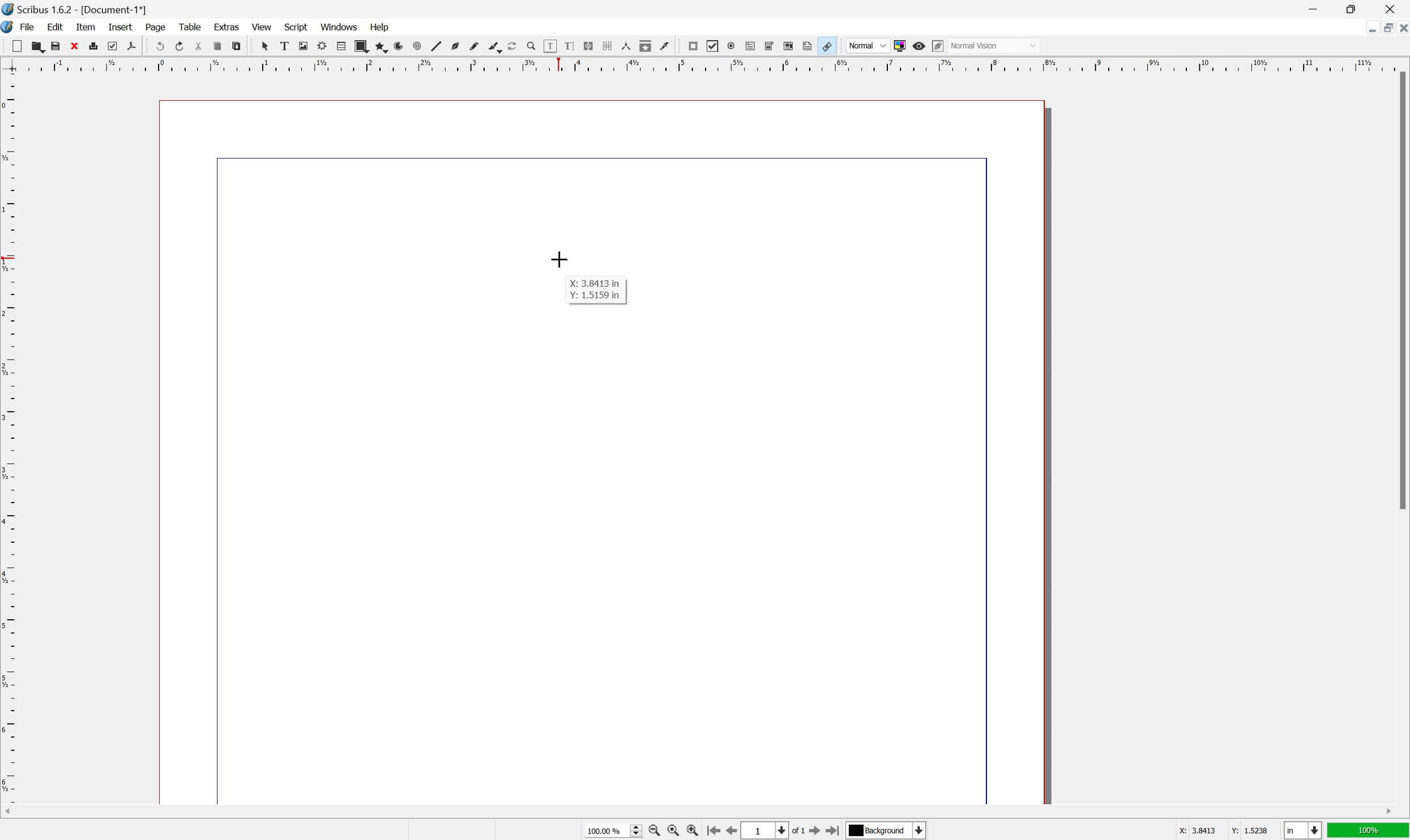 The width and height of the screenshot is (1410, 840). What do you see at coordinates (626, 46) in the screenshot?
I see `measurements` at bounding box center [626, 46].